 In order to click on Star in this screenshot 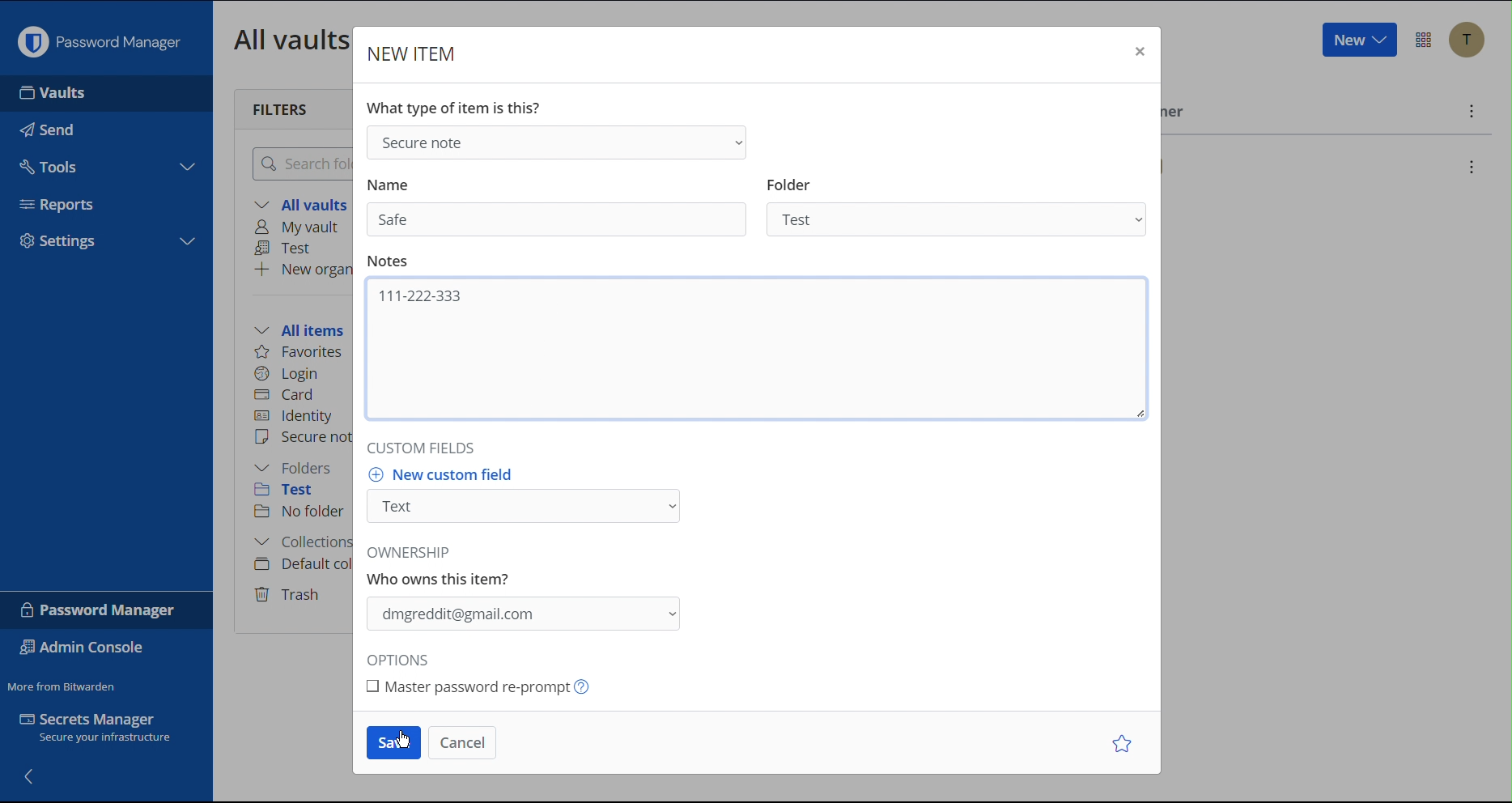, I will do `click(1125, 743)`.